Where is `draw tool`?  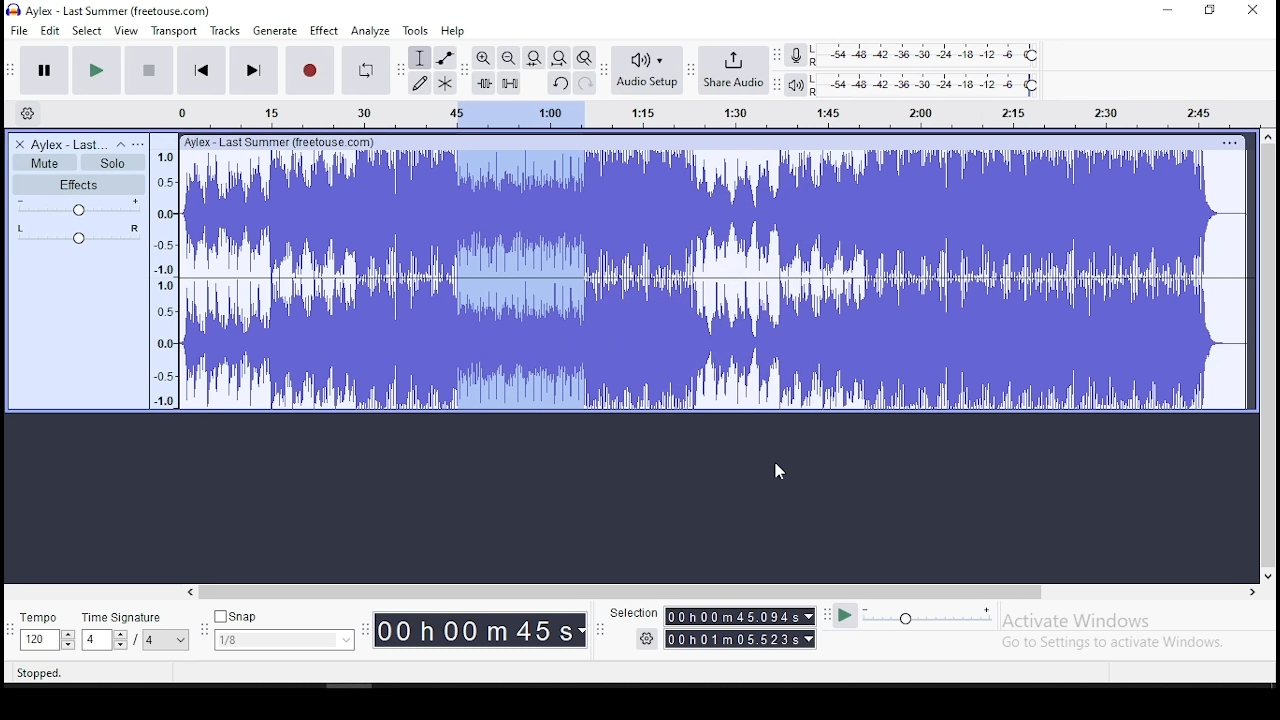
draw tool is located at coordinates (418, 83).